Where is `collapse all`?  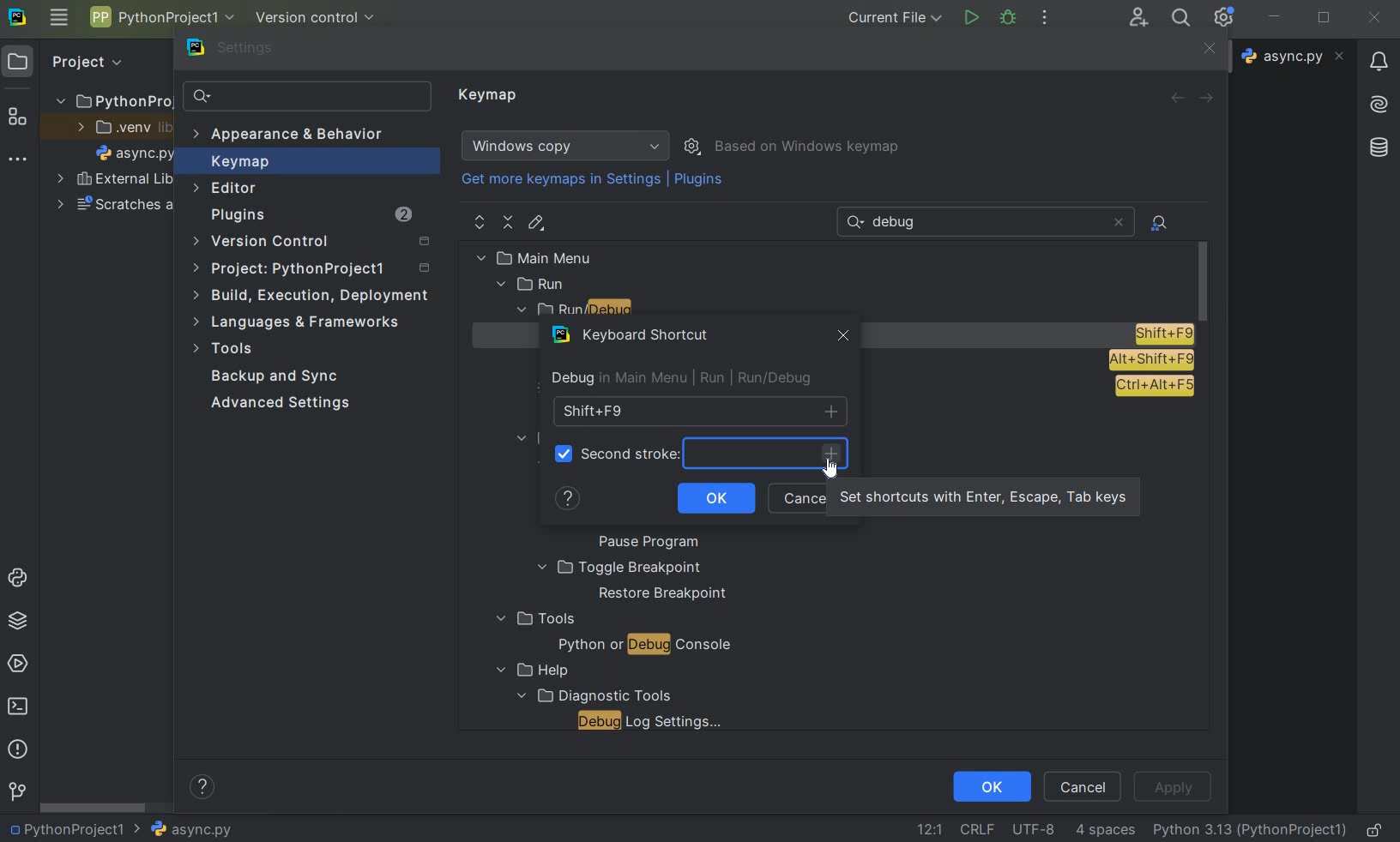 collapse all is located at coordinates (509, 223).